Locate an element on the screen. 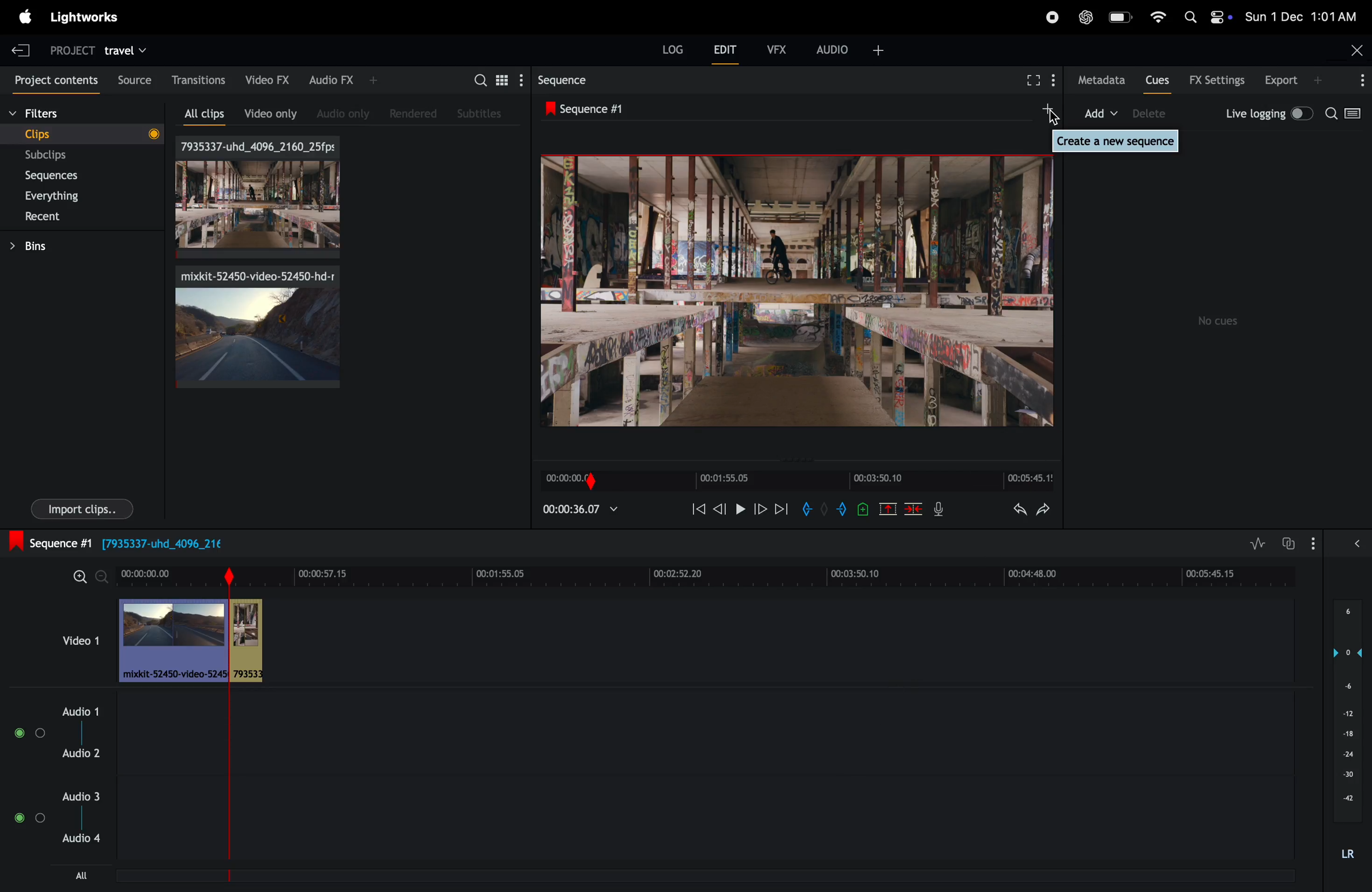  sequence #1 is located at coordinates (599, 107).